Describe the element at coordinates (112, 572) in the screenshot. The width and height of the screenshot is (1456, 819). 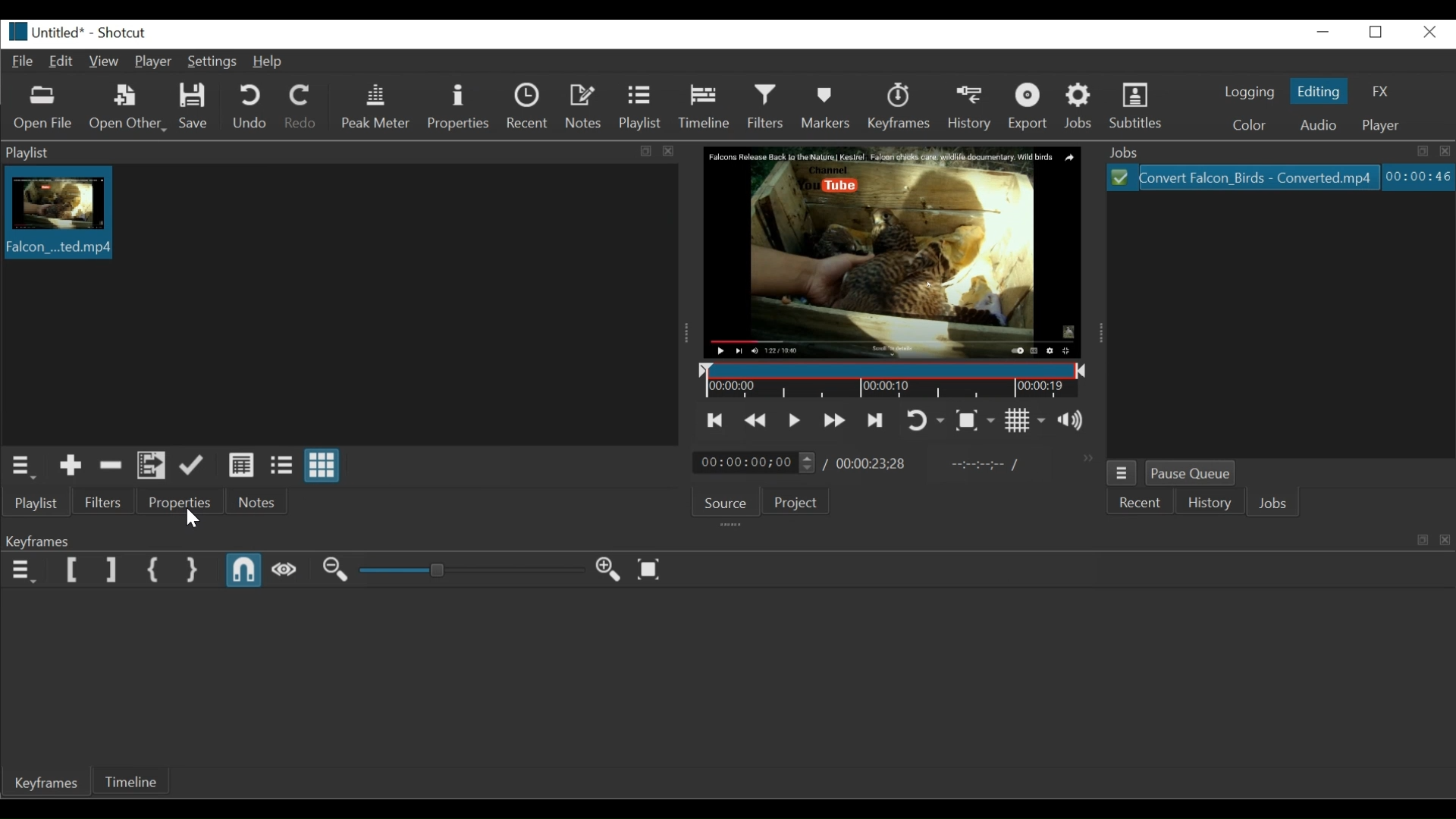
I see `Set Filter last` at that location.